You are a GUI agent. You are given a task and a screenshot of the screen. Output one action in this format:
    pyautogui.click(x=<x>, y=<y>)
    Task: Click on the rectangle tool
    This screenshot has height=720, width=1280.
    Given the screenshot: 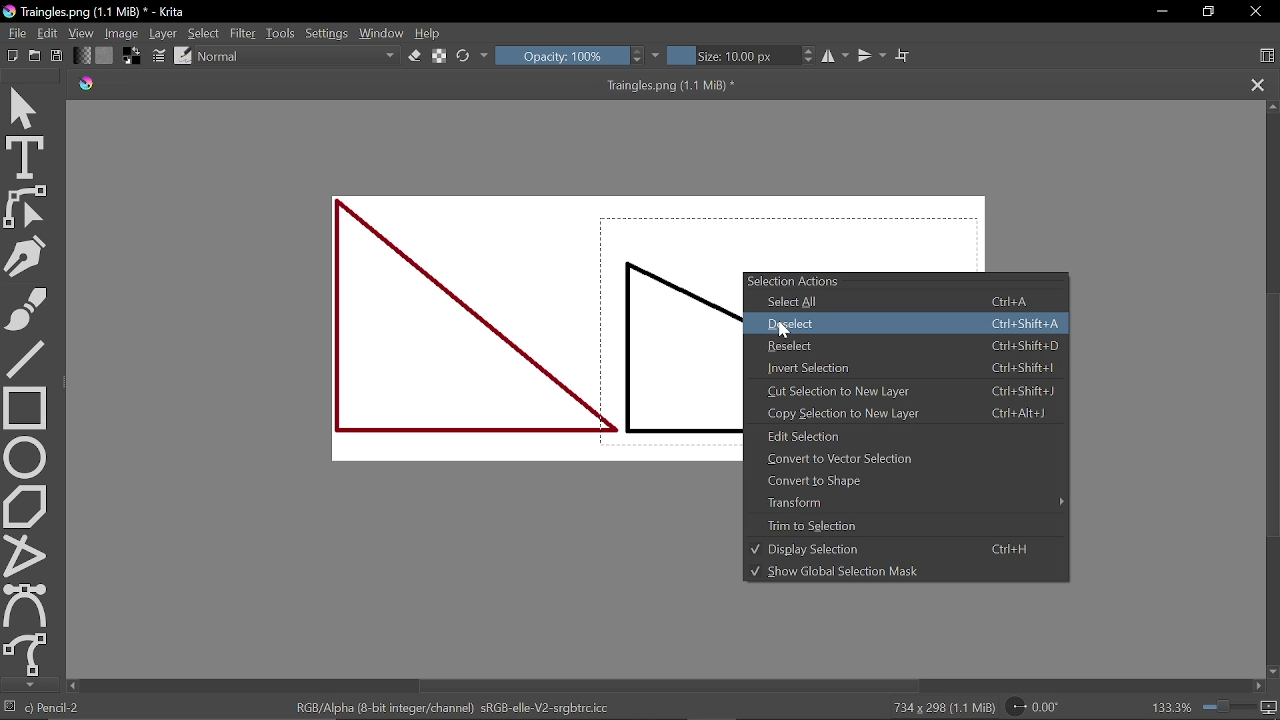 What is the action you would take?
    pyautogui.click(x=25, y=408)
    